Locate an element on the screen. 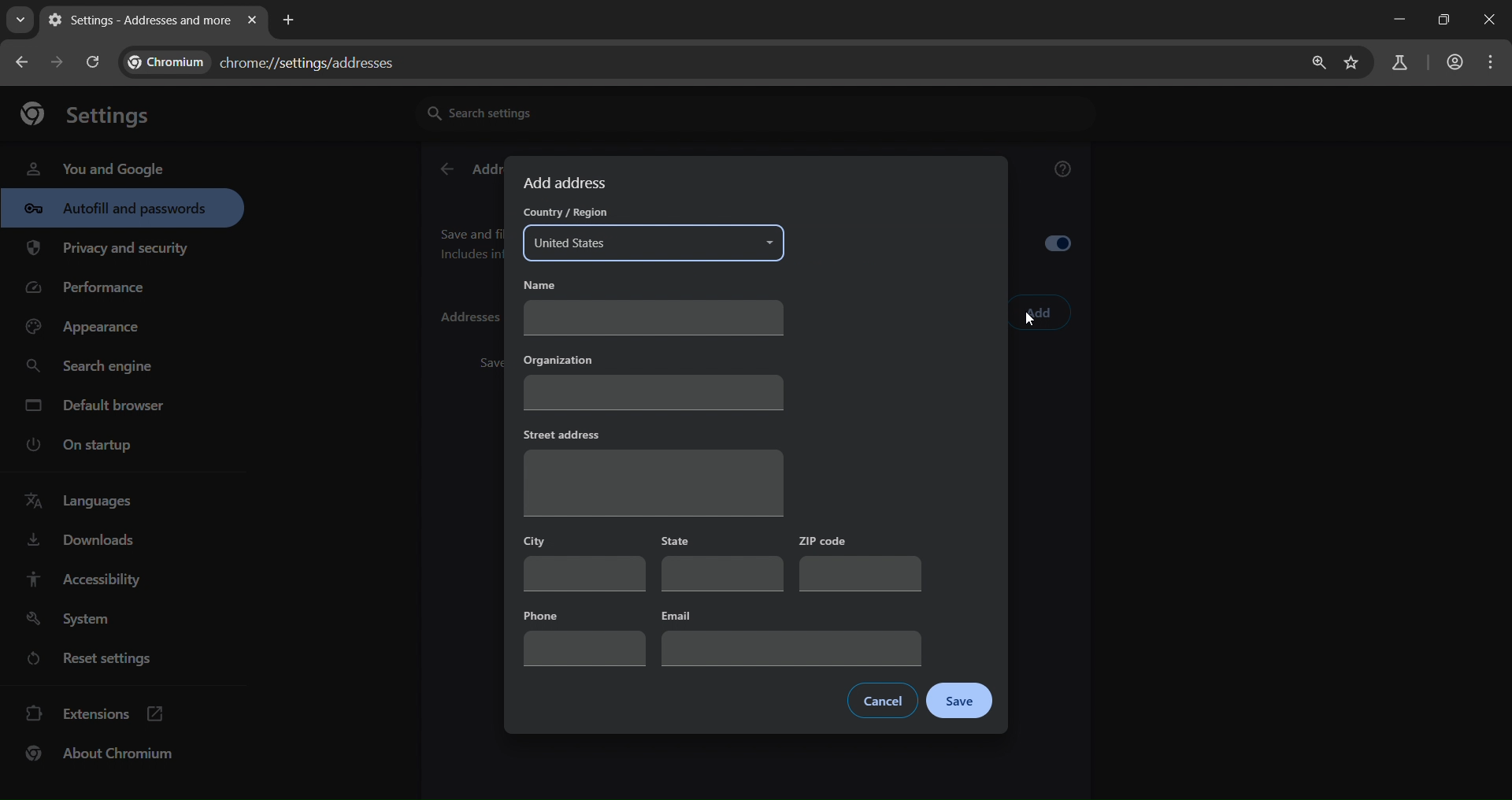 The height and width of the screenshot is (800, 1512). close is located at coordinates (1492, 21).